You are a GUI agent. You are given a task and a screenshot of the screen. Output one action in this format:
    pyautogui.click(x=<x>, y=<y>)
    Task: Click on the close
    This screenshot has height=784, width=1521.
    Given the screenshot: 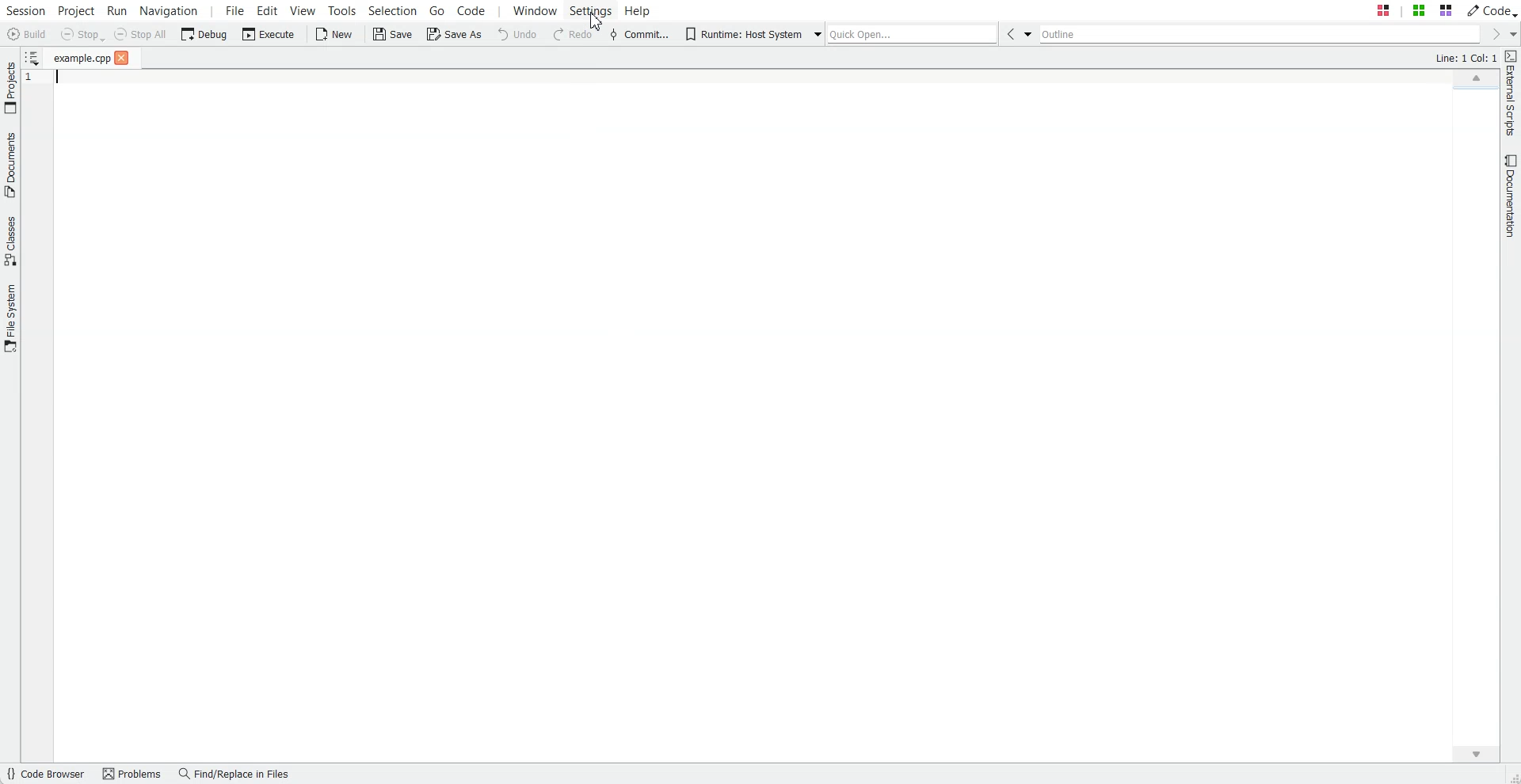 What is the action you would take?
    pyautogui.click(x=122, y=59)
    